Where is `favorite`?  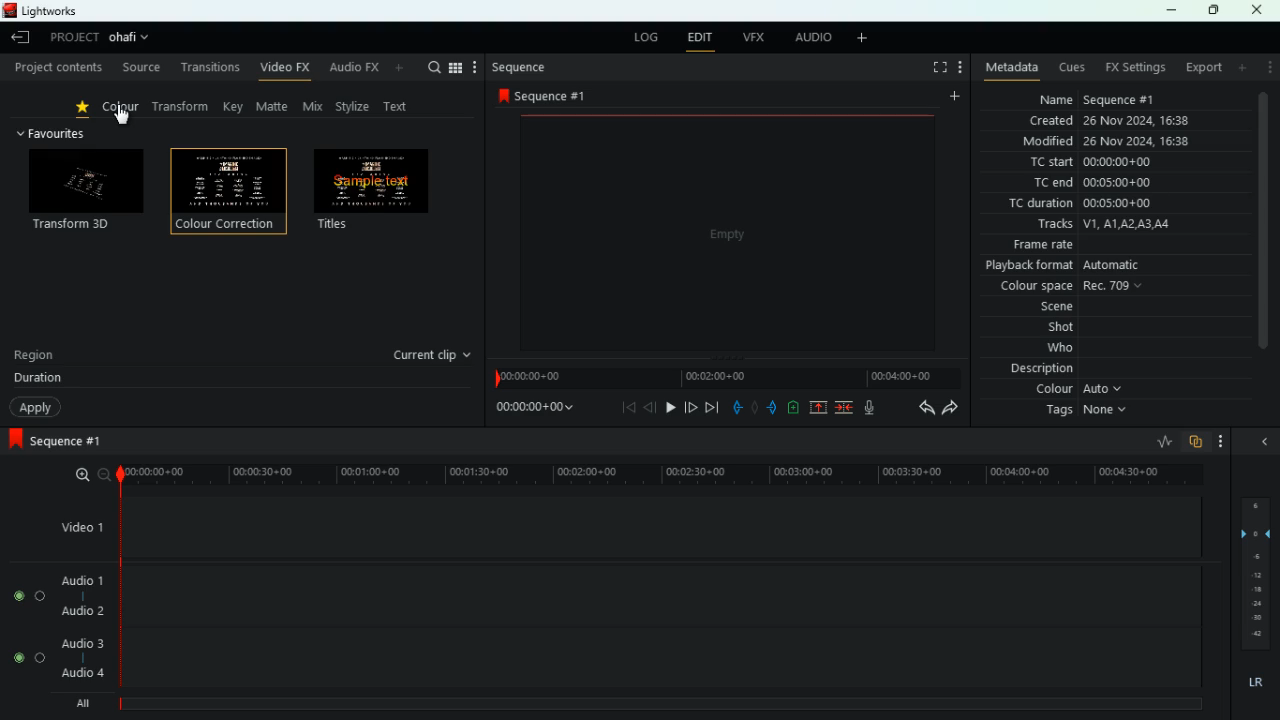
favorite is located at coordinates (86, 109).